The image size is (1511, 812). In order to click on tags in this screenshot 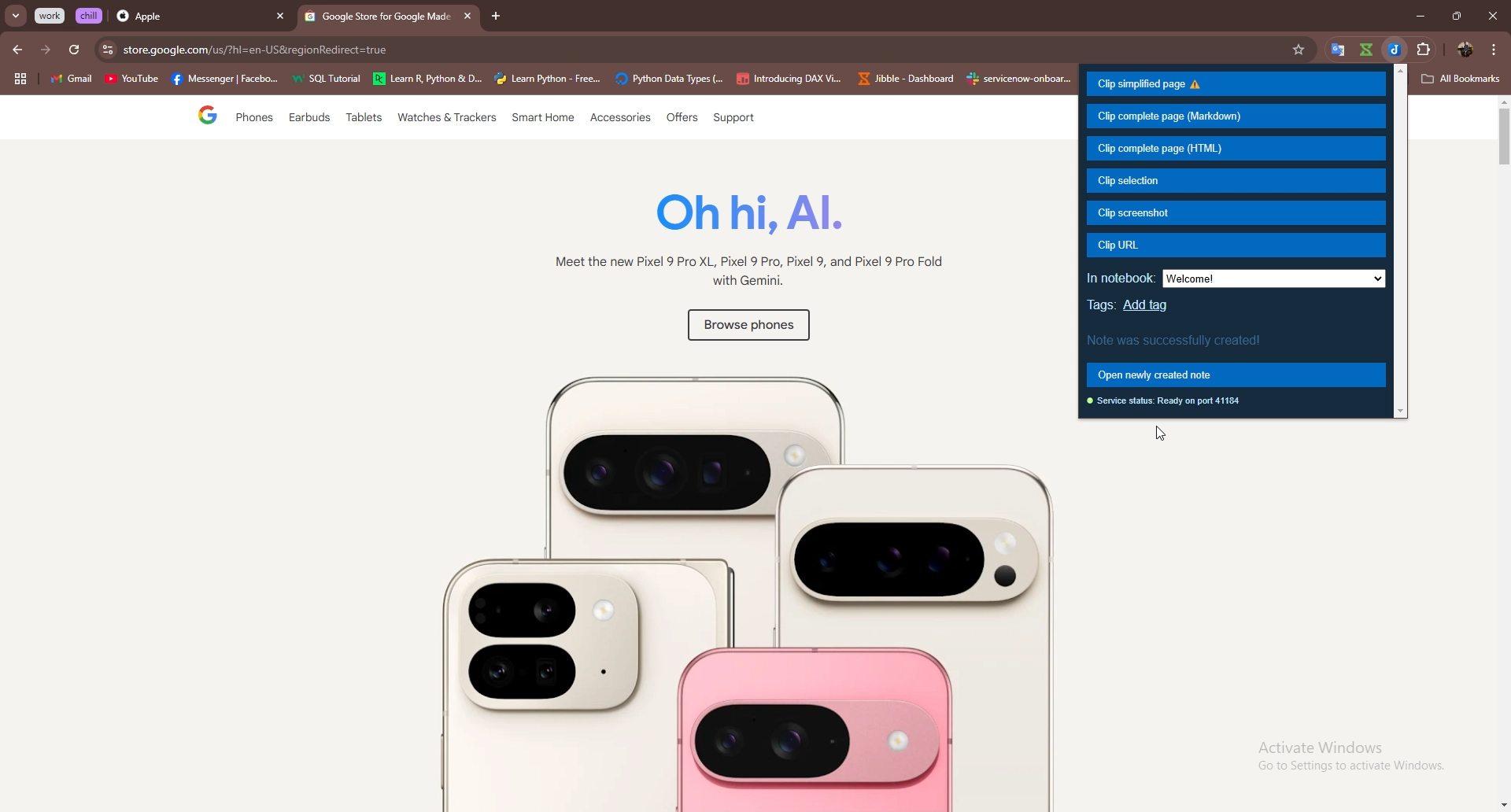, I will do `click(1103, 305)`.